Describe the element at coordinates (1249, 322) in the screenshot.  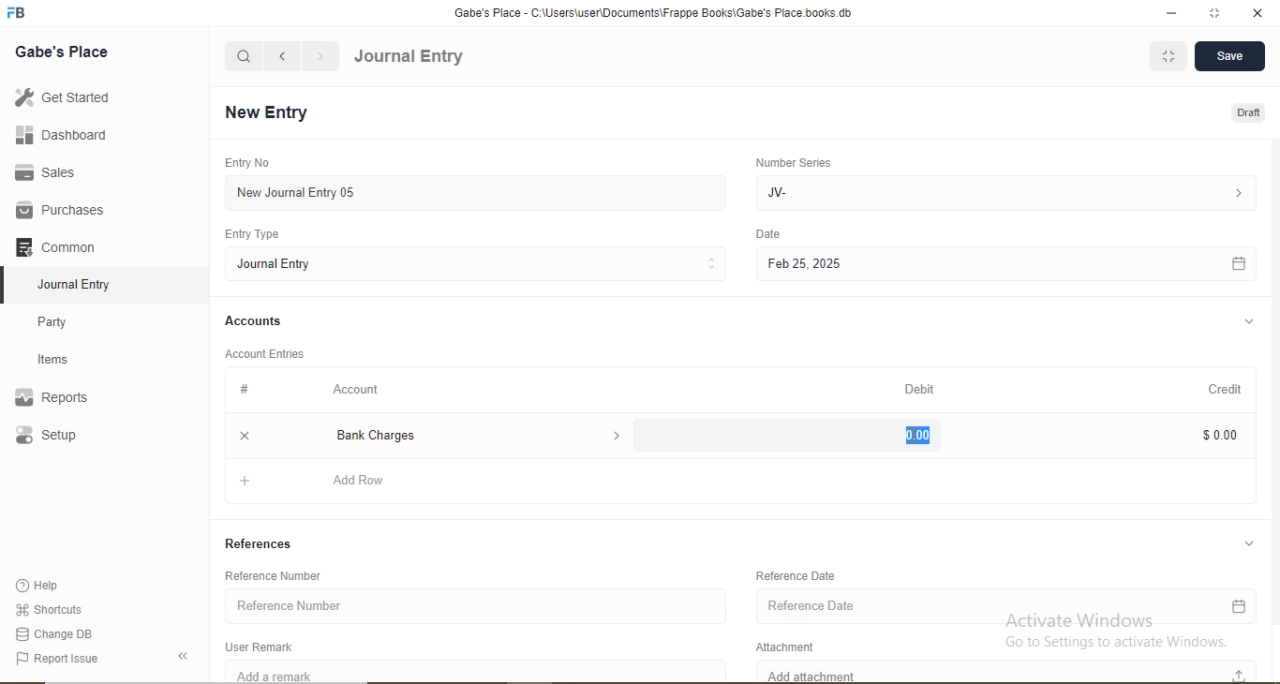
I see `collapse/expand` at that location.